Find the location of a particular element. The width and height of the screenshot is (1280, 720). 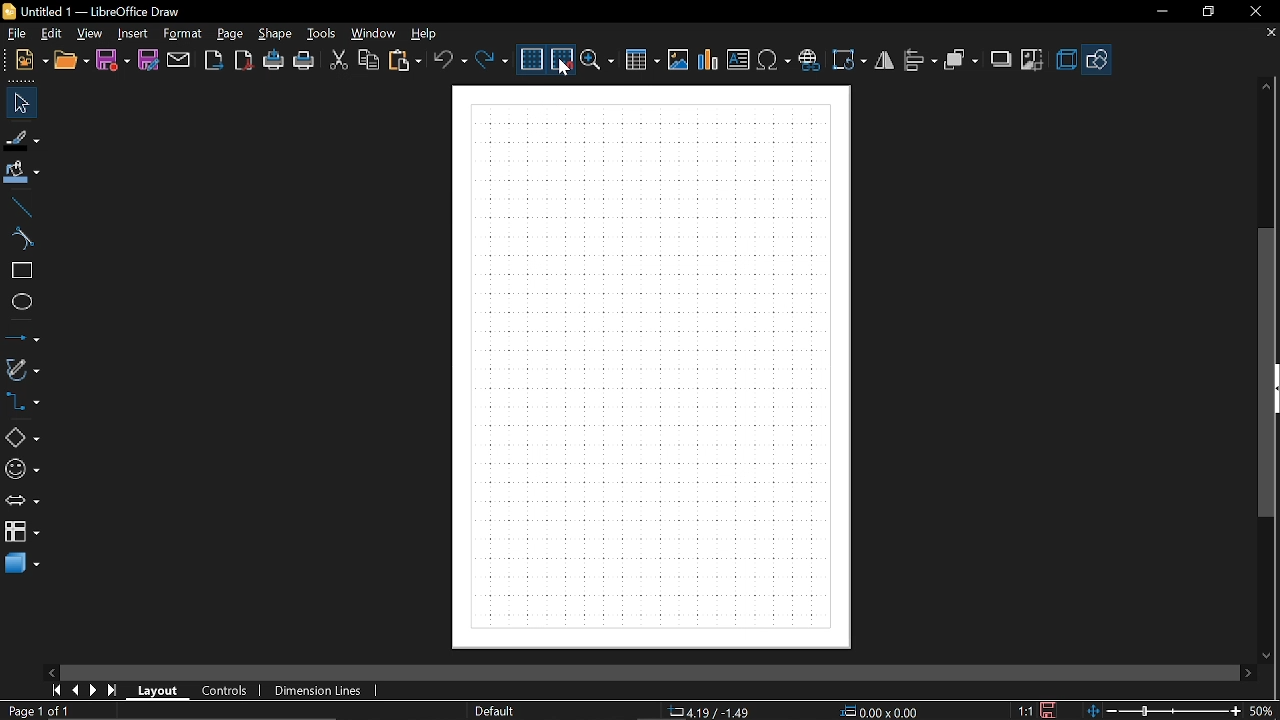

page style is located at coordinates (498, 712).